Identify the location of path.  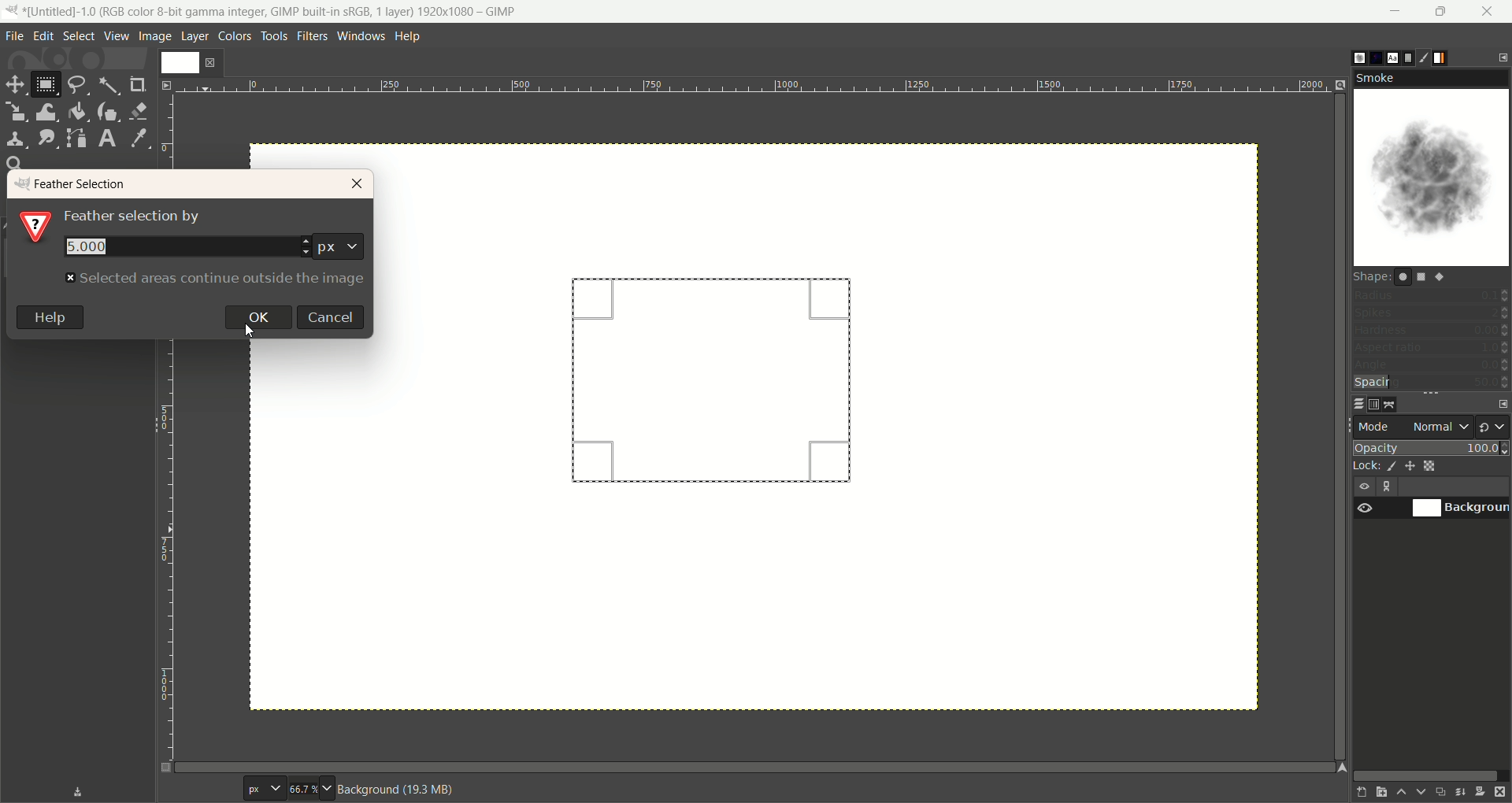
(1390, 404).